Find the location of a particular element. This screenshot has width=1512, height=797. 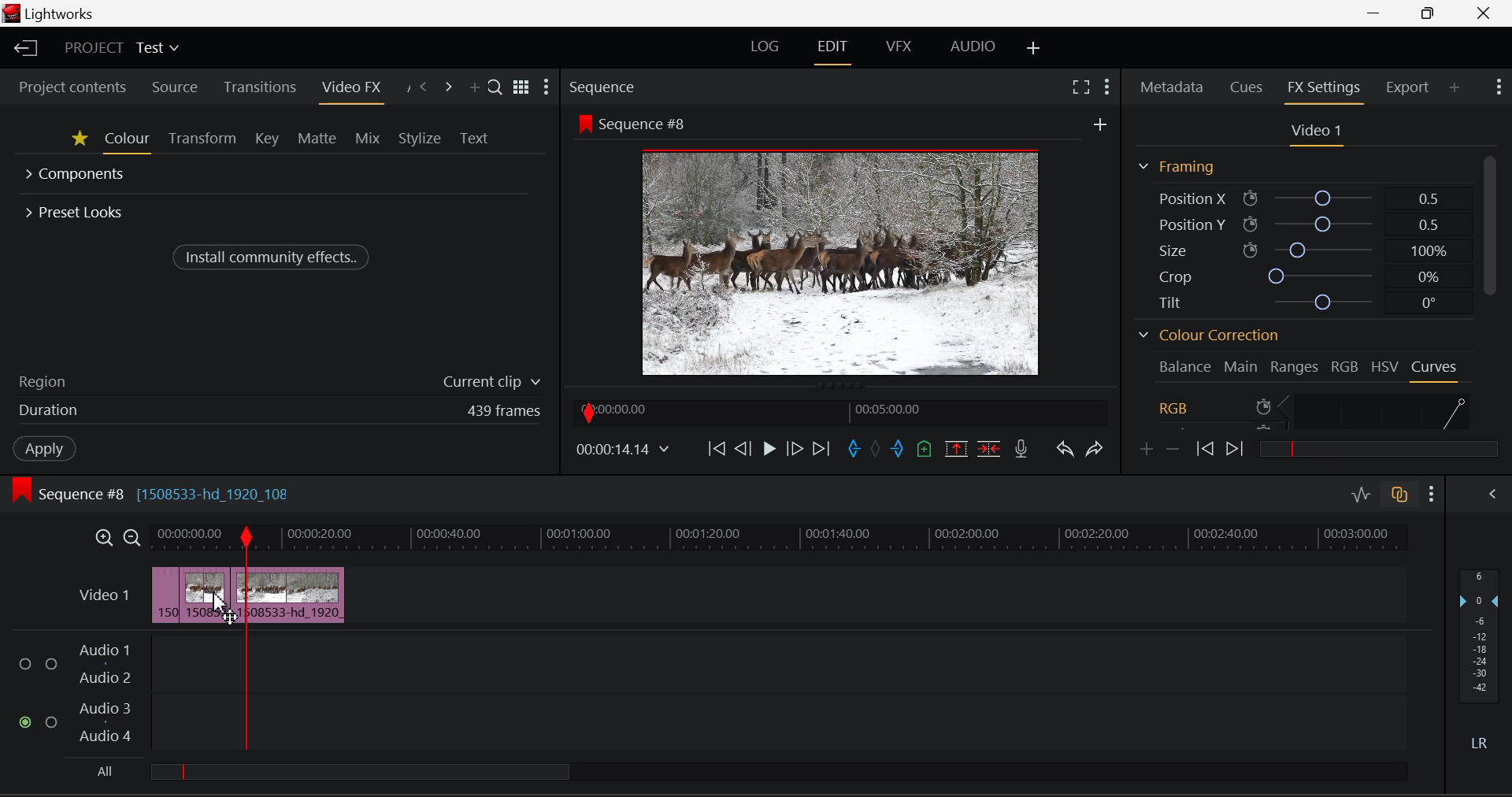

Show Audio Mix is located at coordinates (1492, 496).